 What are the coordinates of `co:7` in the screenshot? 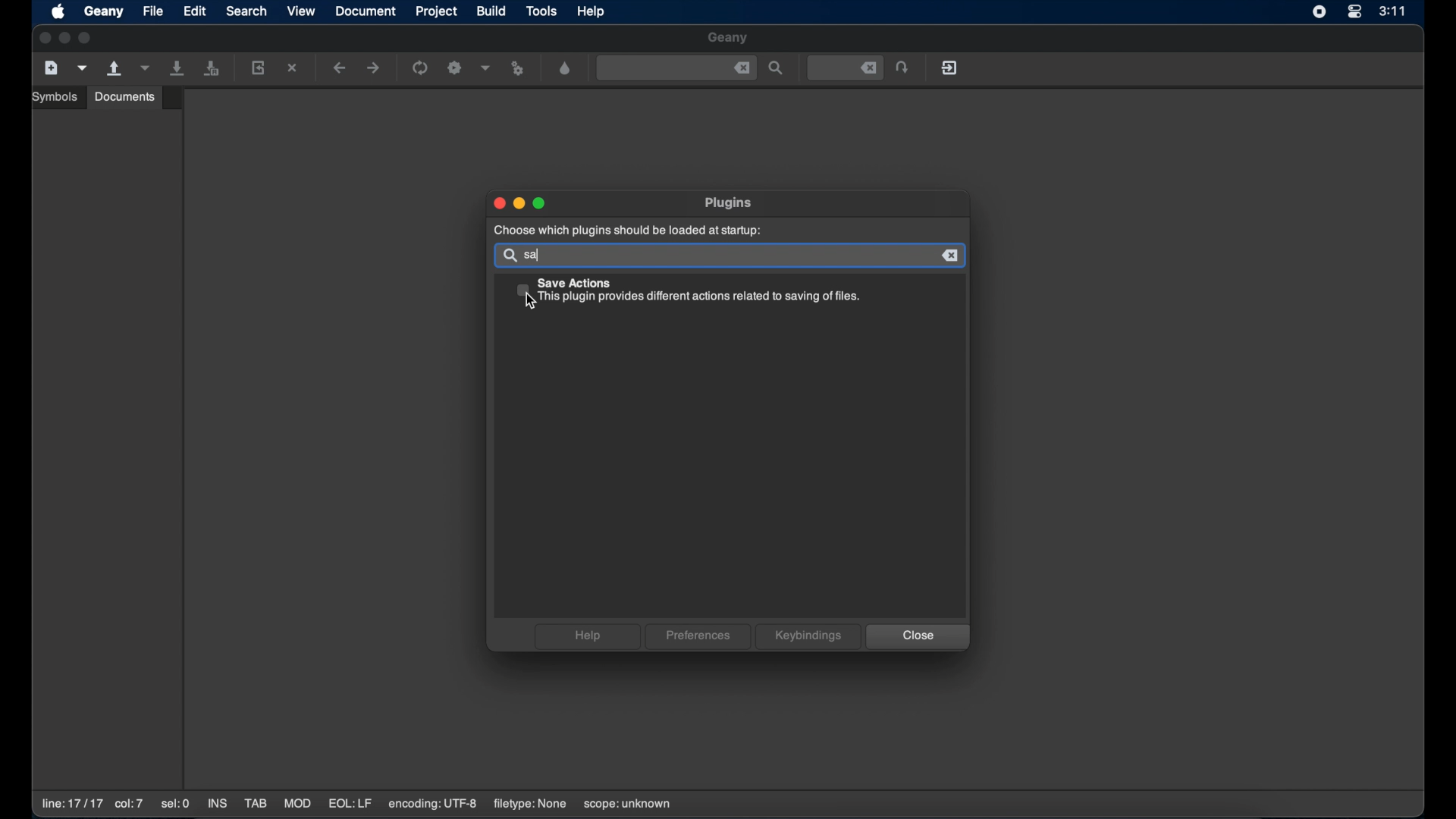 It's located at (128, 805).